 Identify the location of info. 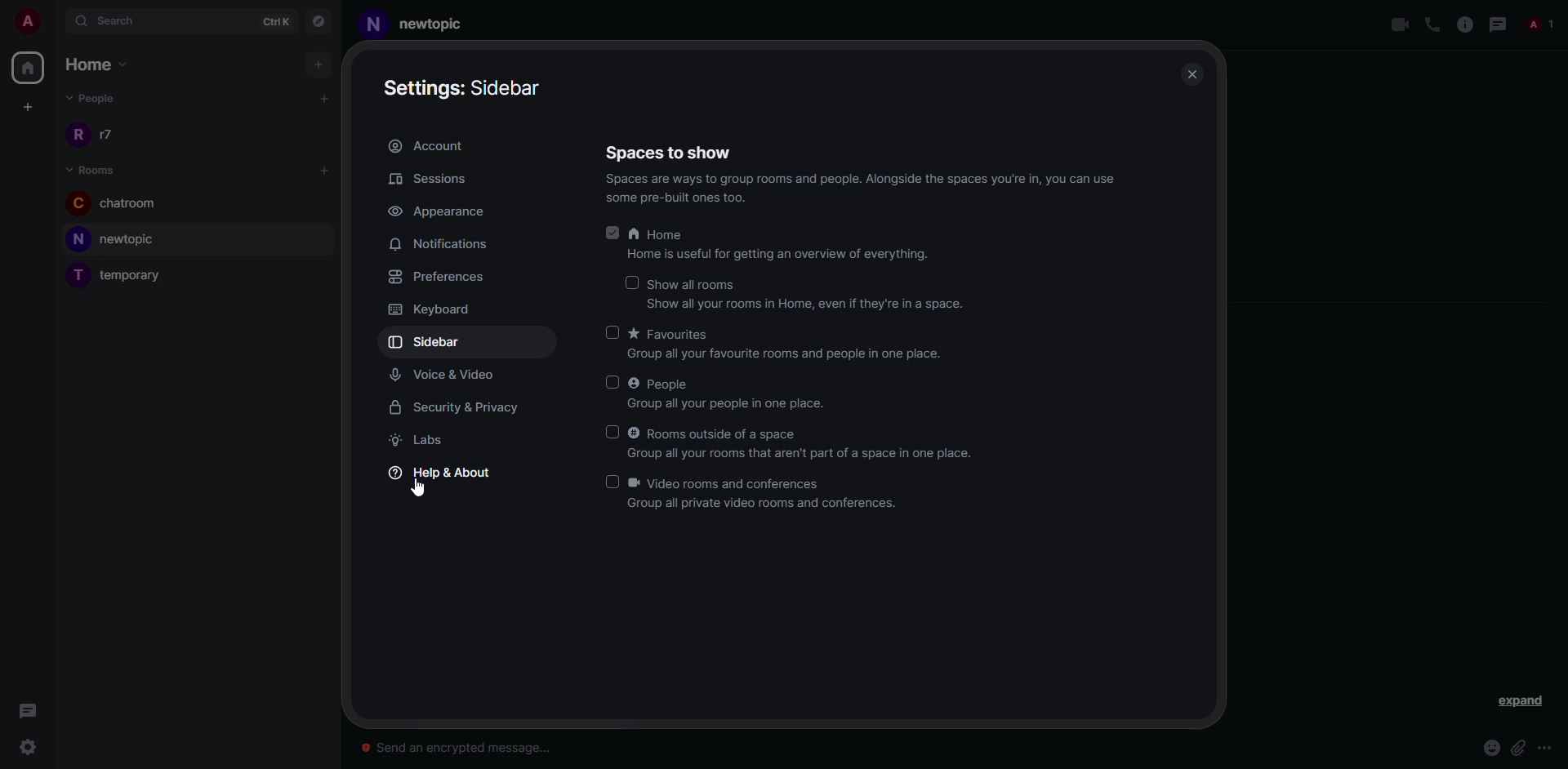
(1465, 24).